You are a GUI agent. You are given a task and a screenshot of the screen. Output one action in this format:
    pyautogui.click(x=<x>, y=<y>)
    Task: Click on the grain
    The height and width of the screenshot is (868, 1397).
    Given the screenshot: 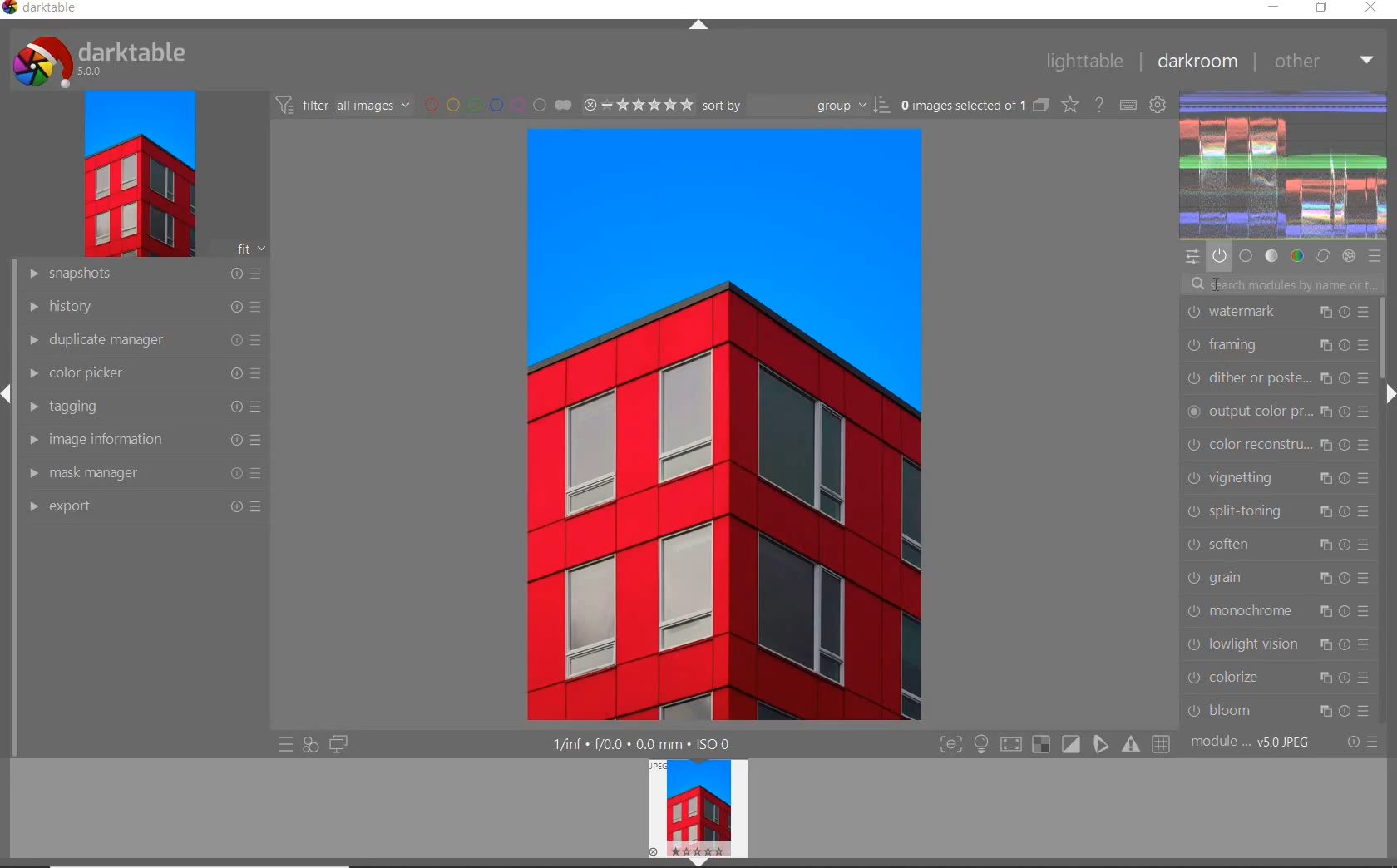 What is the action you would take?
    pyautogui.click(x=1279, y=576)
    